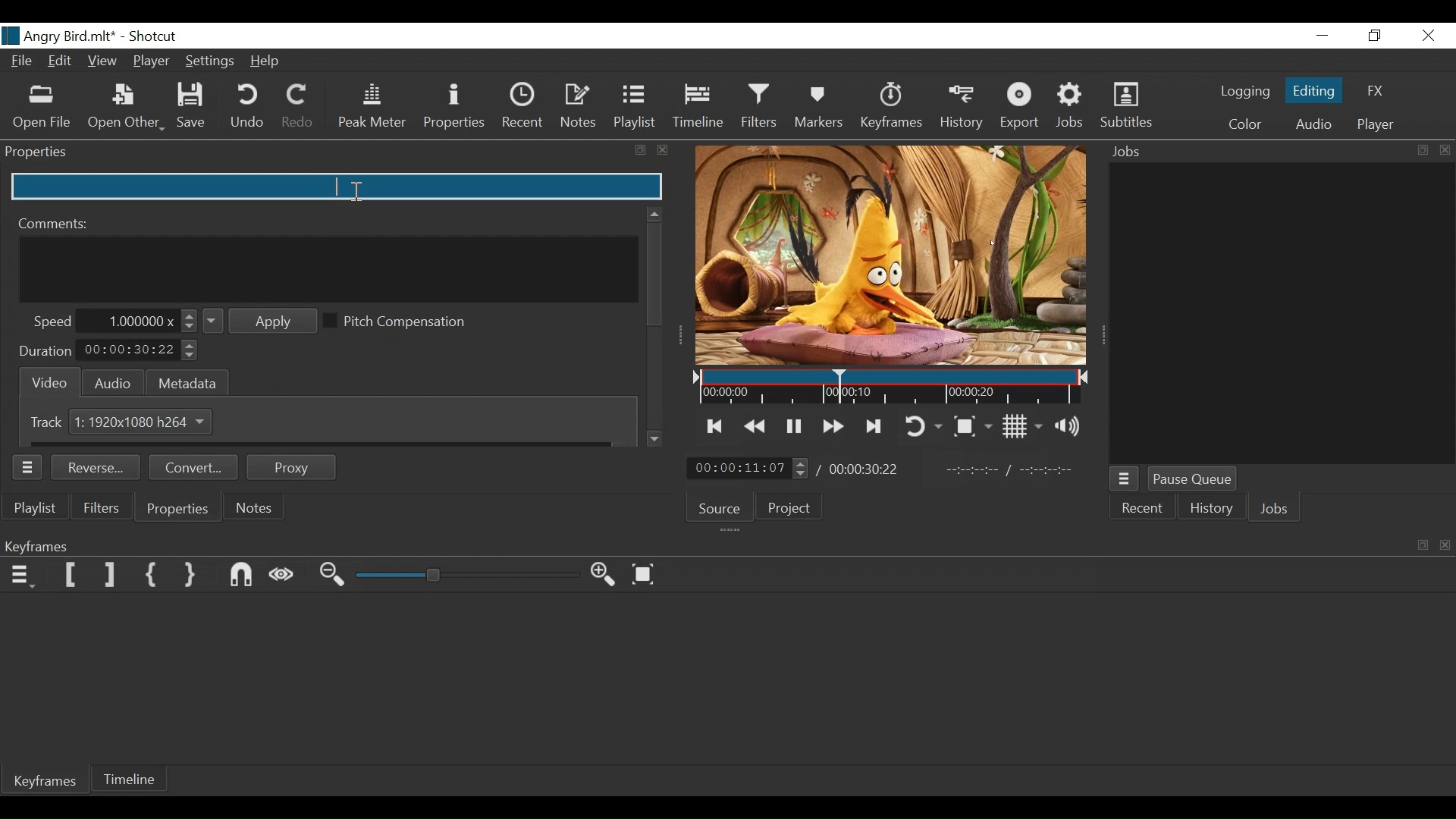 This screenshot has width=1456, height=819. What do you see at coordinates (155, 576) in the screenshot?
I see `Set First Simple keyframe` at bounding box center [155, 576].